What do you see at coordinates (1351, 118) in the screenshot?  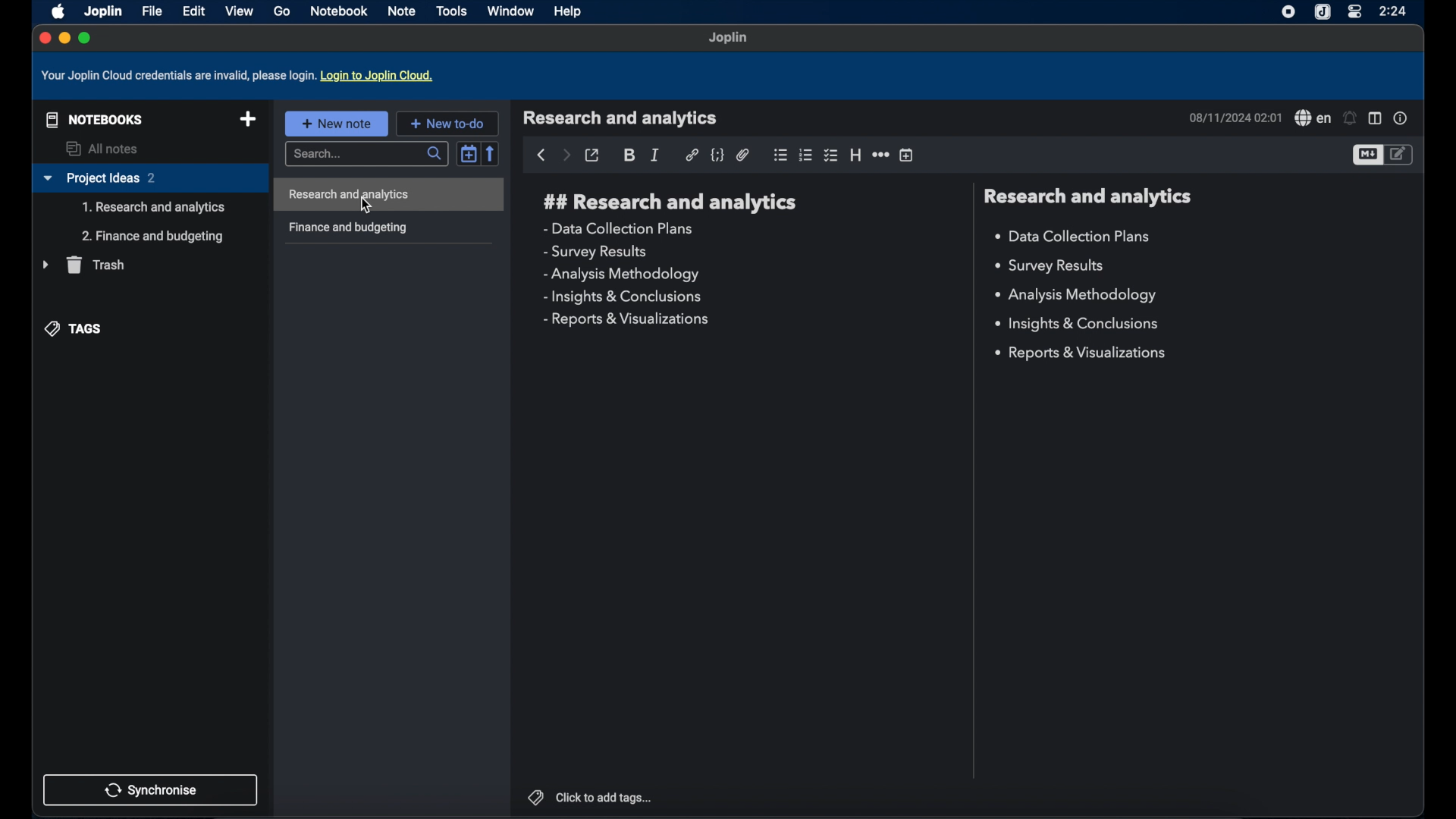 I see `set alarm` at bounding box center [1351, 118].